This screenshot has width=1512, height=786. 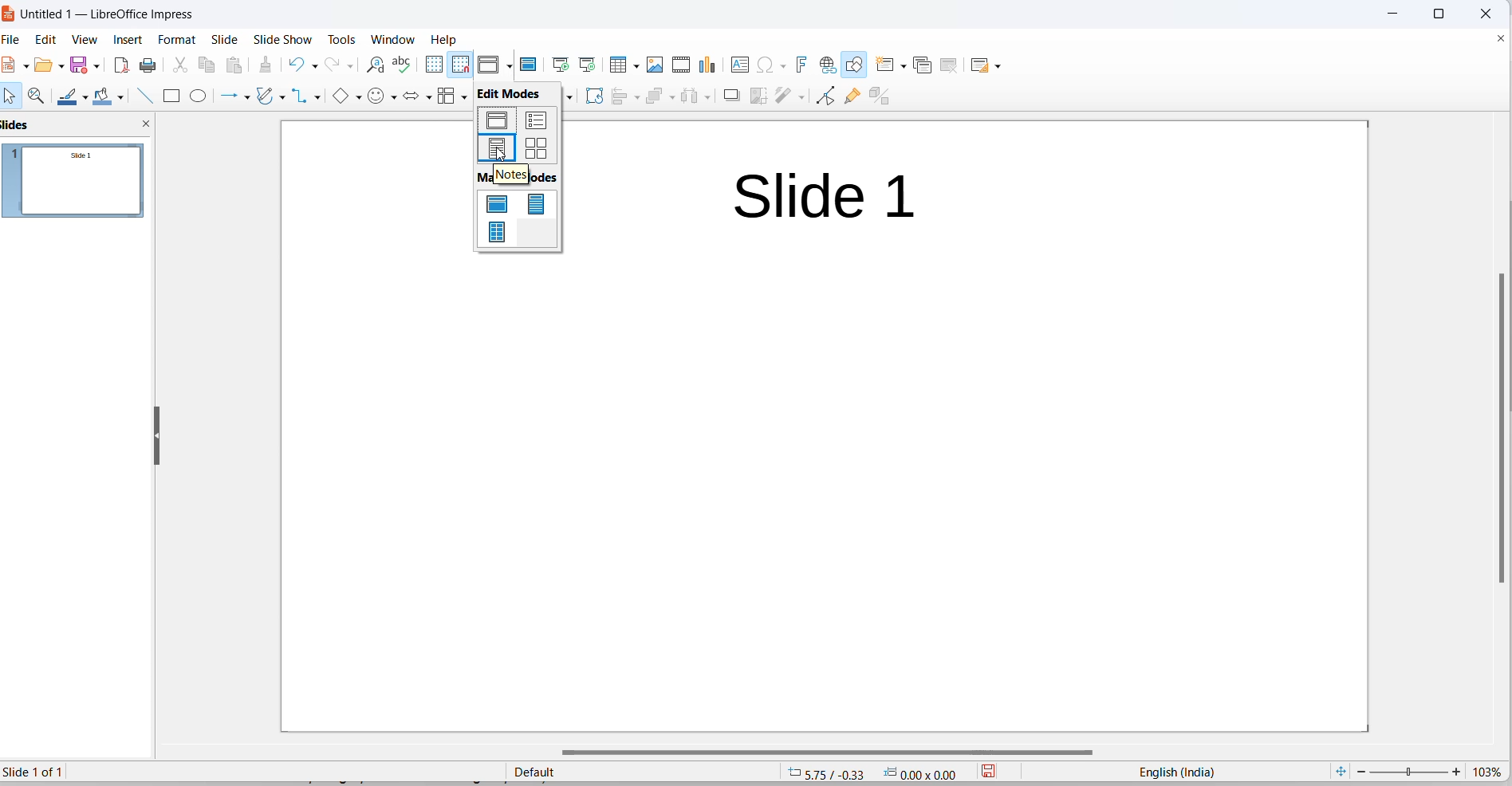 I want to click on flowchart options, so click(x=460, y=101).